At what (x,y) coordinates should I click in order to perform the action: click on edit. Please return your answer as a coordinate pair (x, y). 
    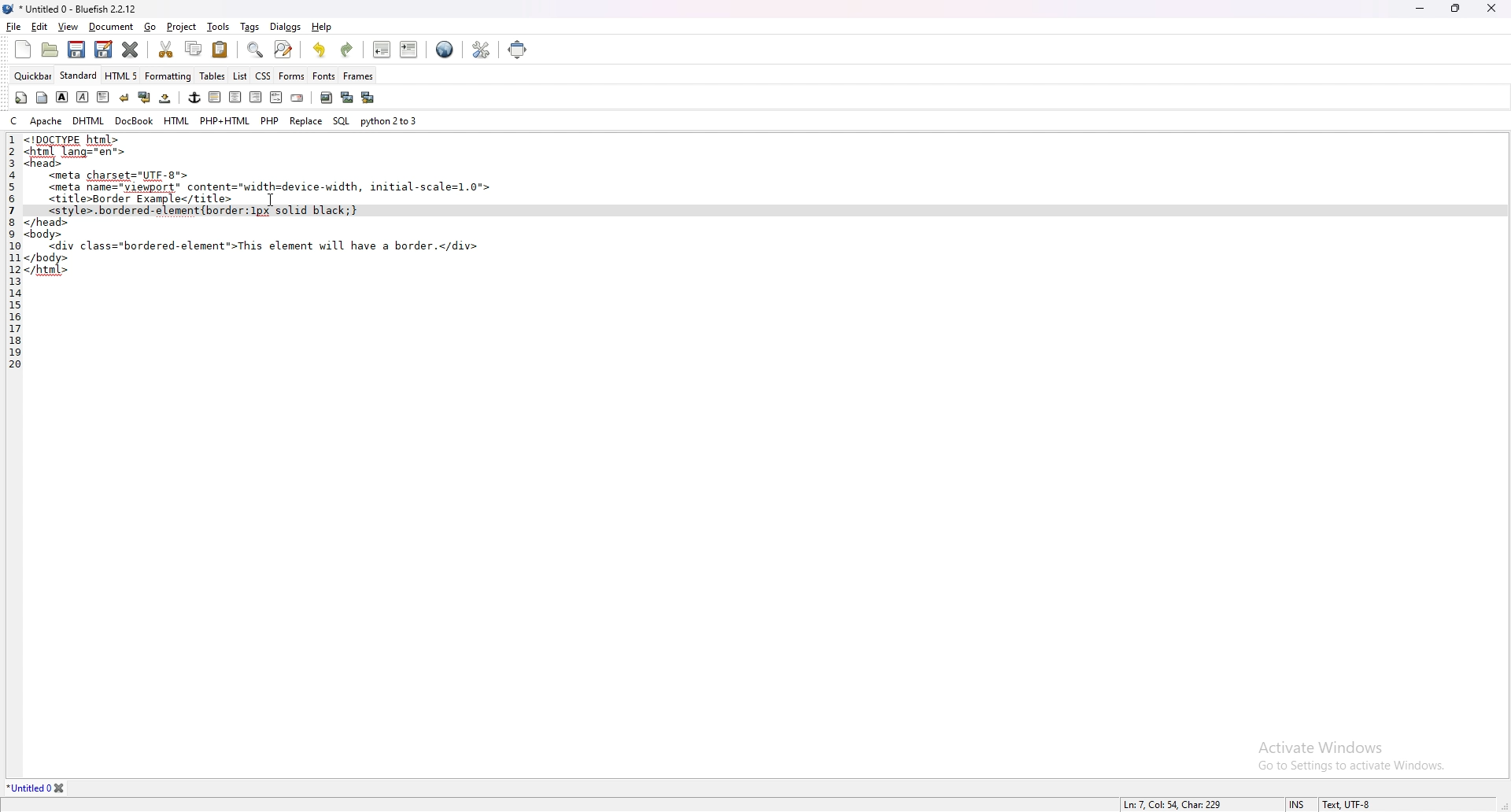
    Looking at the image, I should click on (39, 28).